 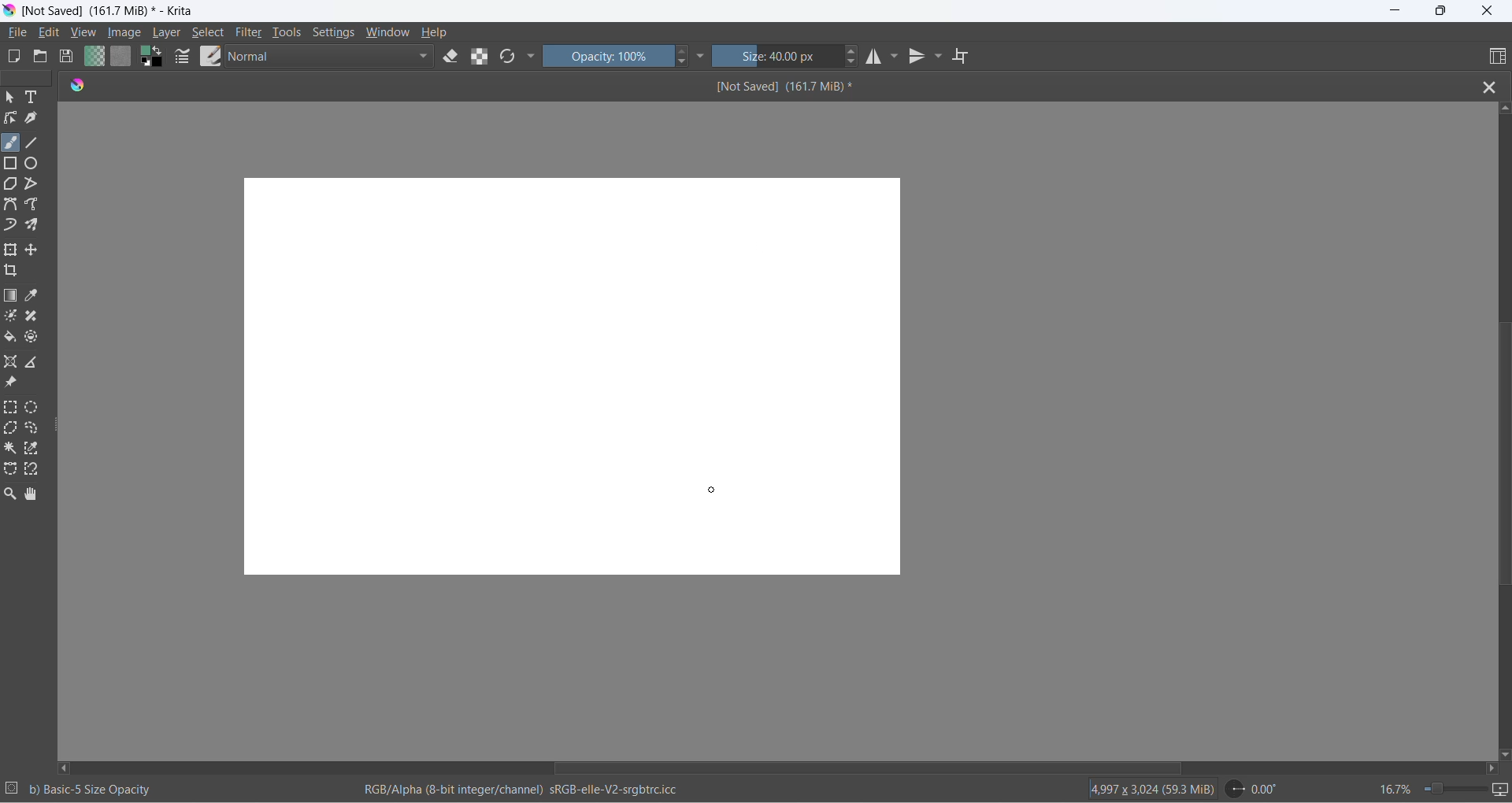 I want to click on fill color, so click(x=11, y=339).